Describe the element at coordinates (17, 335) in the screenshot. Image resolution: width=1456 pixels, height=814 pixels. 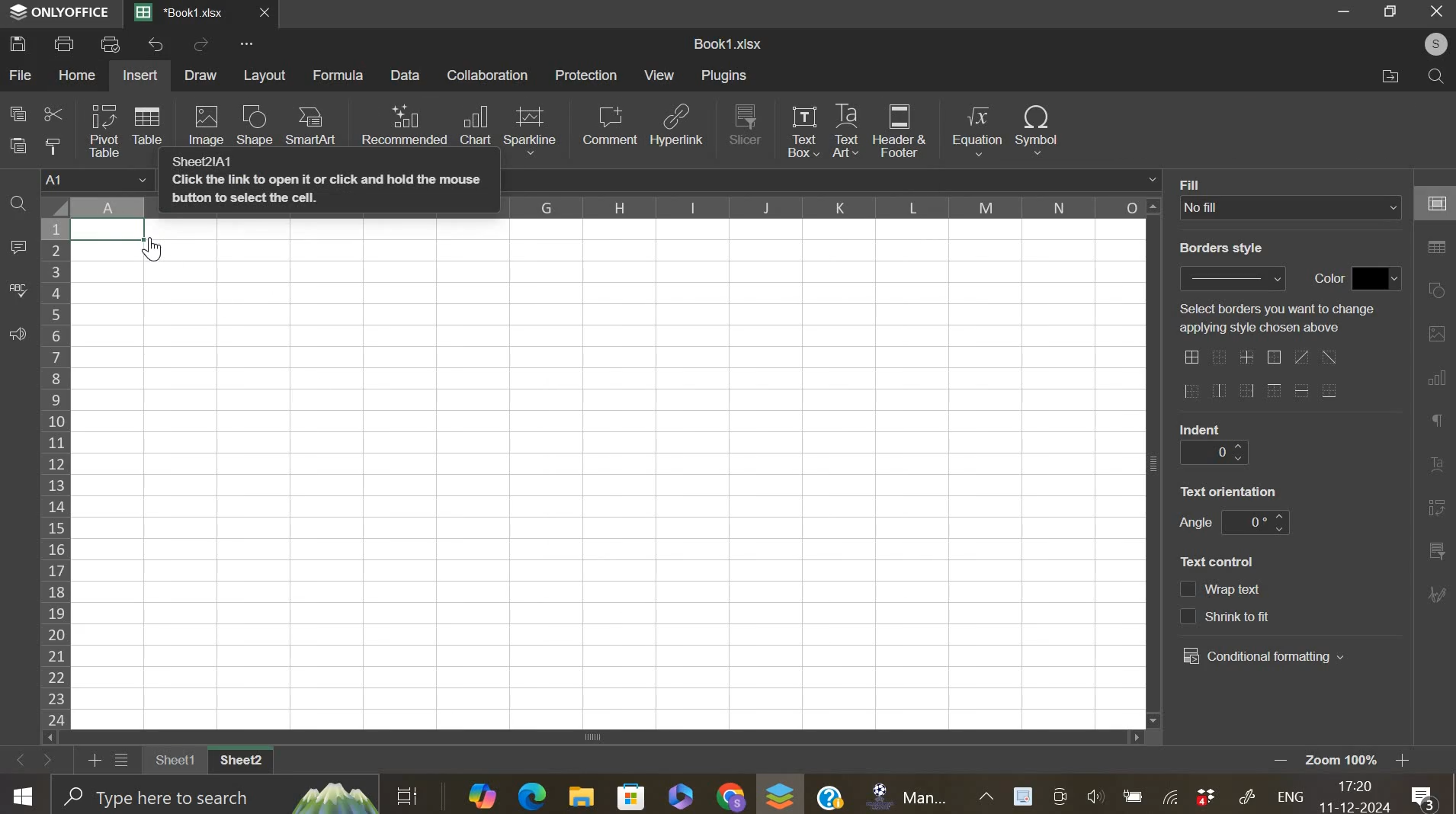
I see `feedback` at that location.